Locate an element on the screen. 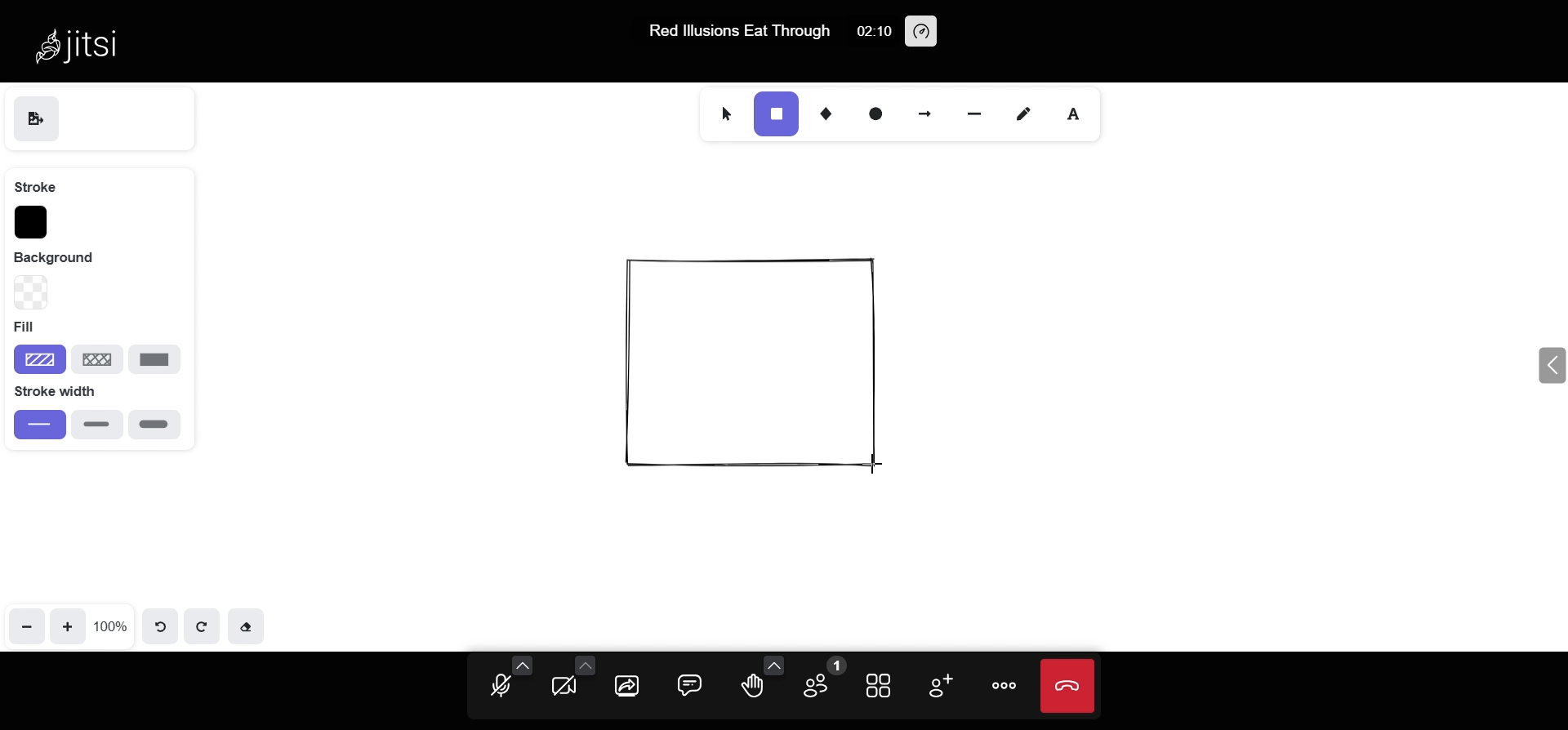 This screenshot has width=1568, height=730. Red lllusions Eat Through is located at coordinates (742, 31).